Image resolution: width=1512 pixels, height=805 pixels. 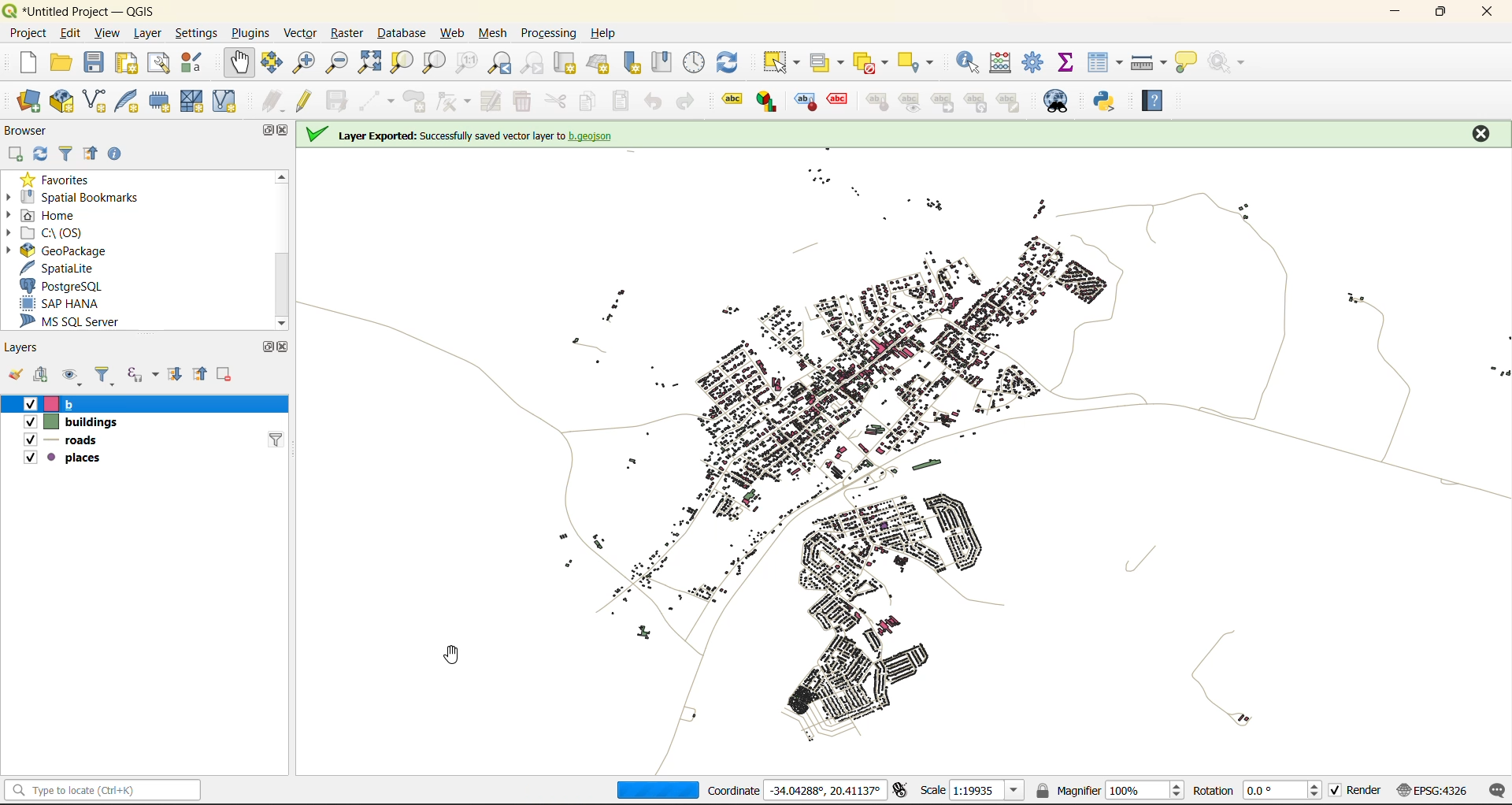 I want to click on toolbox, so click(x=1036, y=61).